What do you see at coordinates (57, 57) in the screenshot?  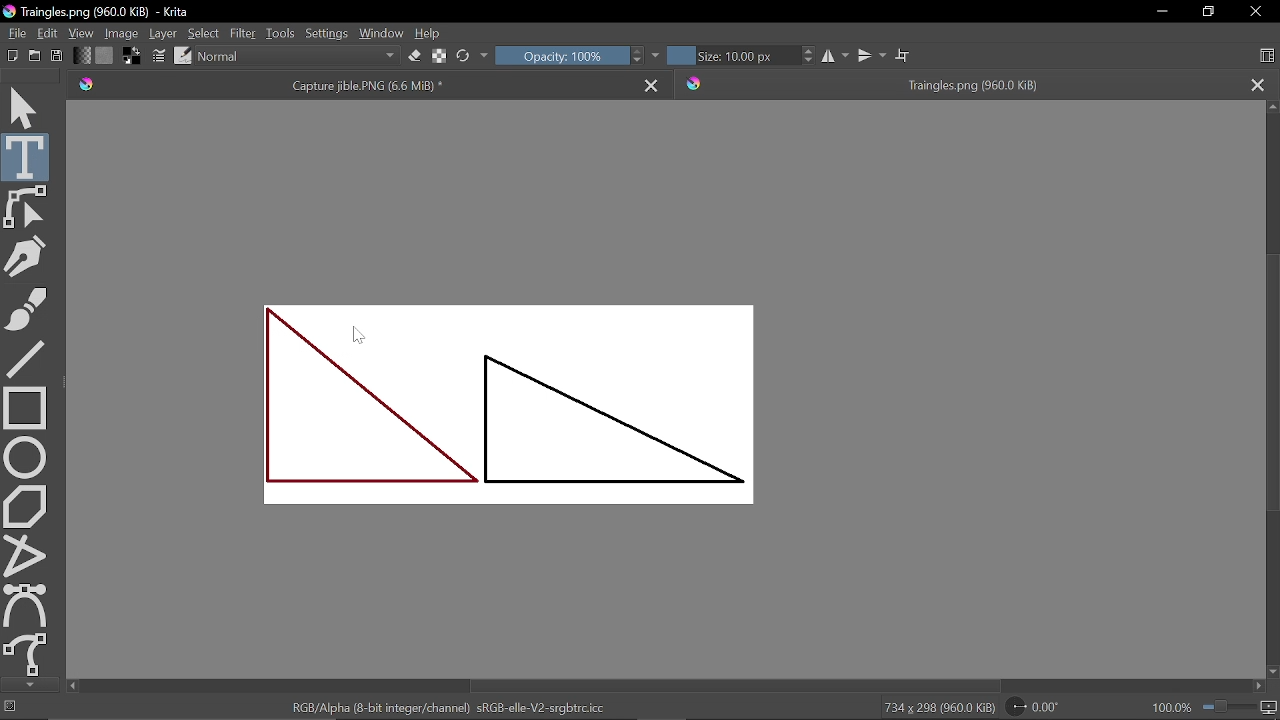 I see `Save` at bounding box center [57, 57].